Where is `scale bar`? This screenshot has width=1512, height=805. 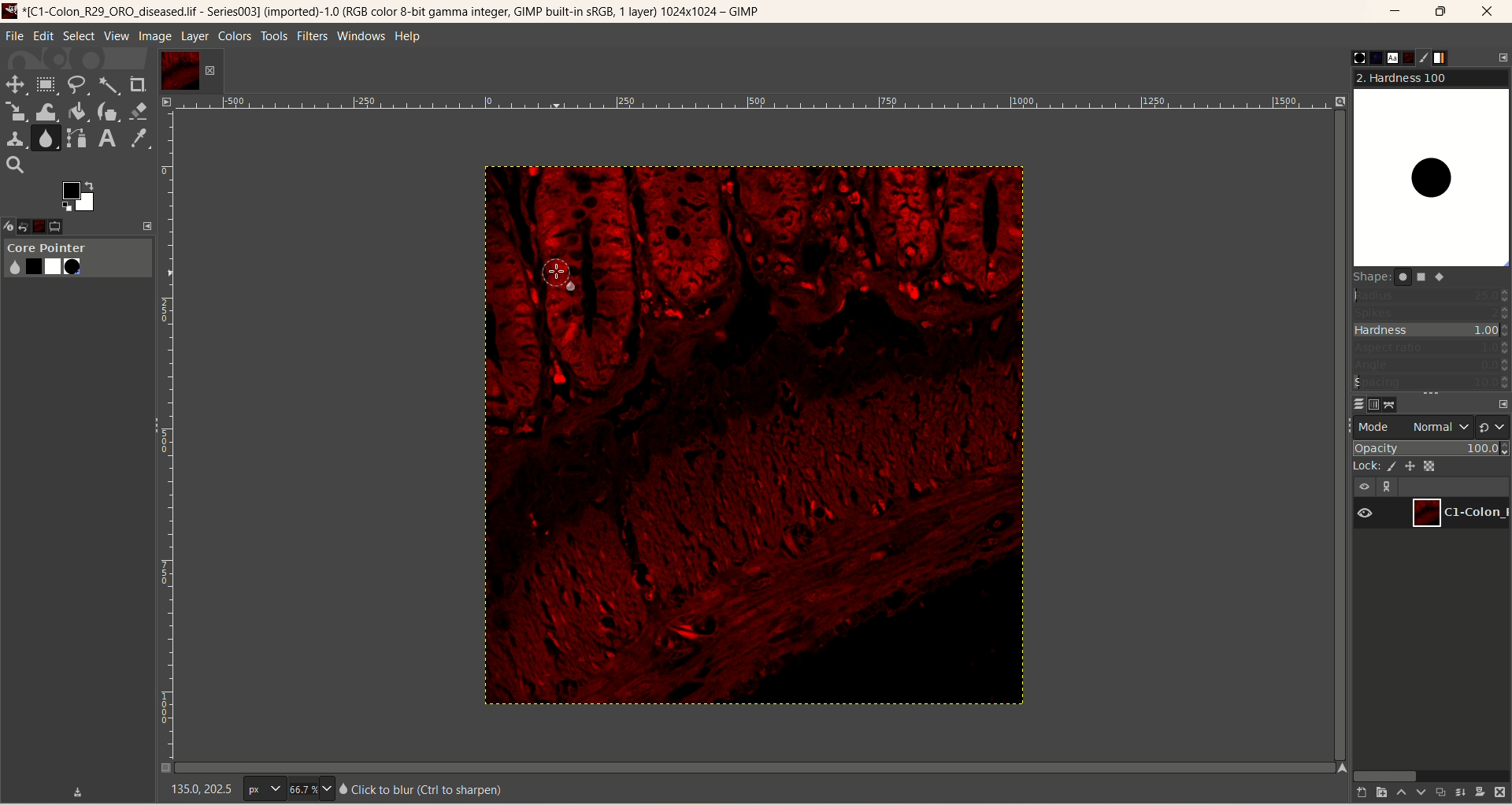
scale bar is located at coordinates (165, 440).